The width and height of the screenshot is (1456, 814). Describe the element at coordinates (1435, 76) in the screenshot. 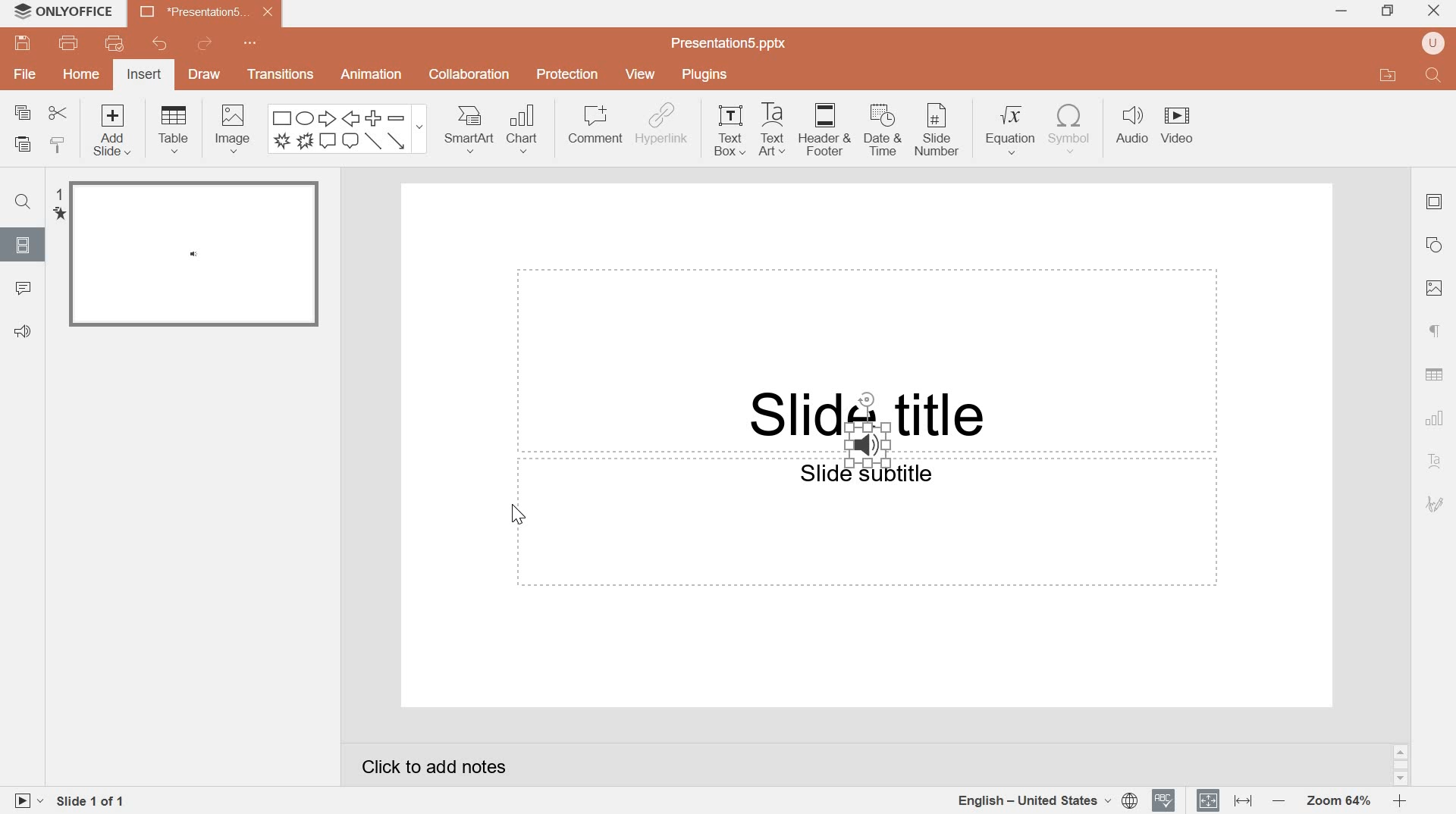

I see `Find` at that location.